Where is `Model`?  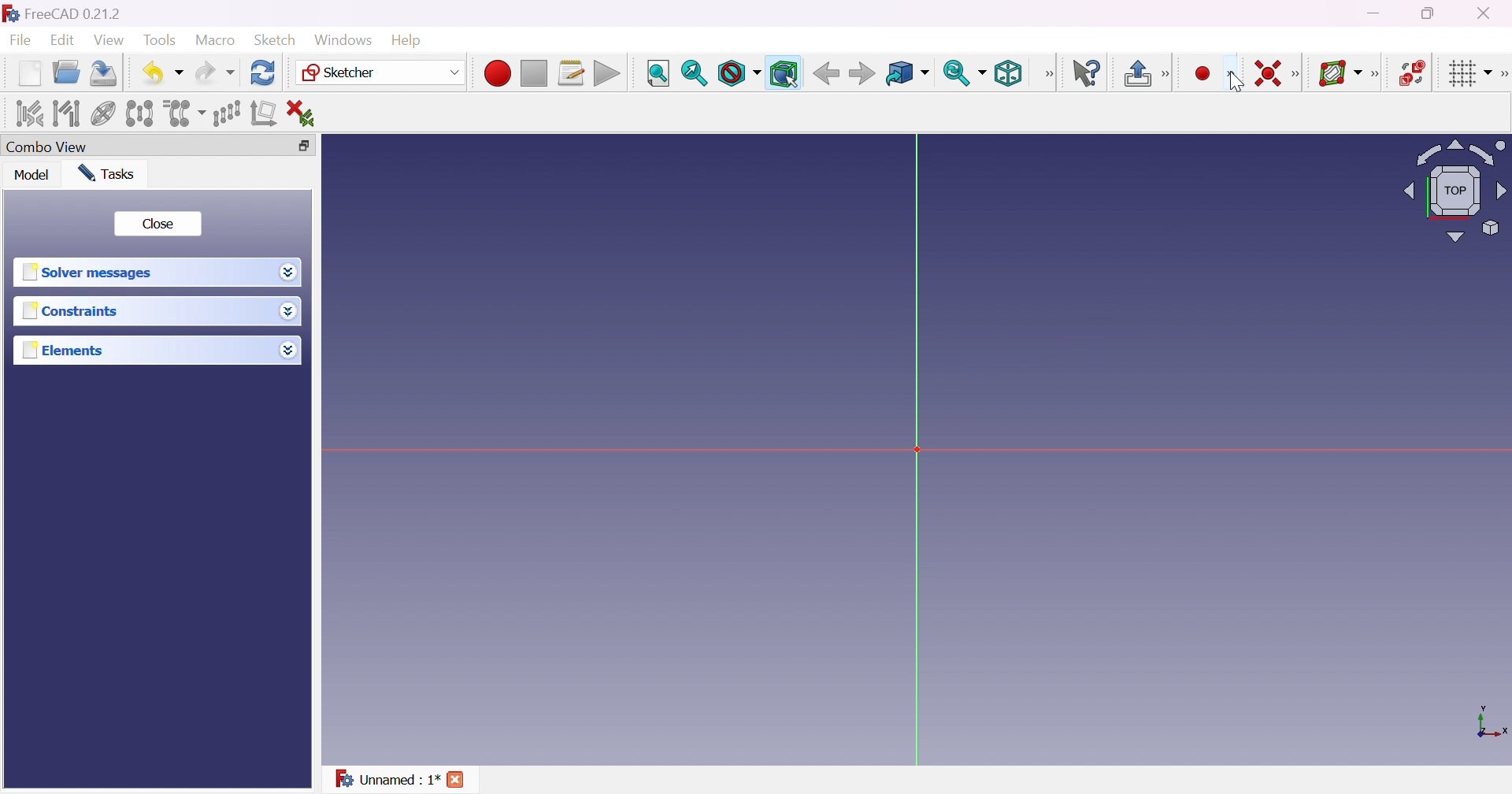 Model is located at coordinates (33, 176).